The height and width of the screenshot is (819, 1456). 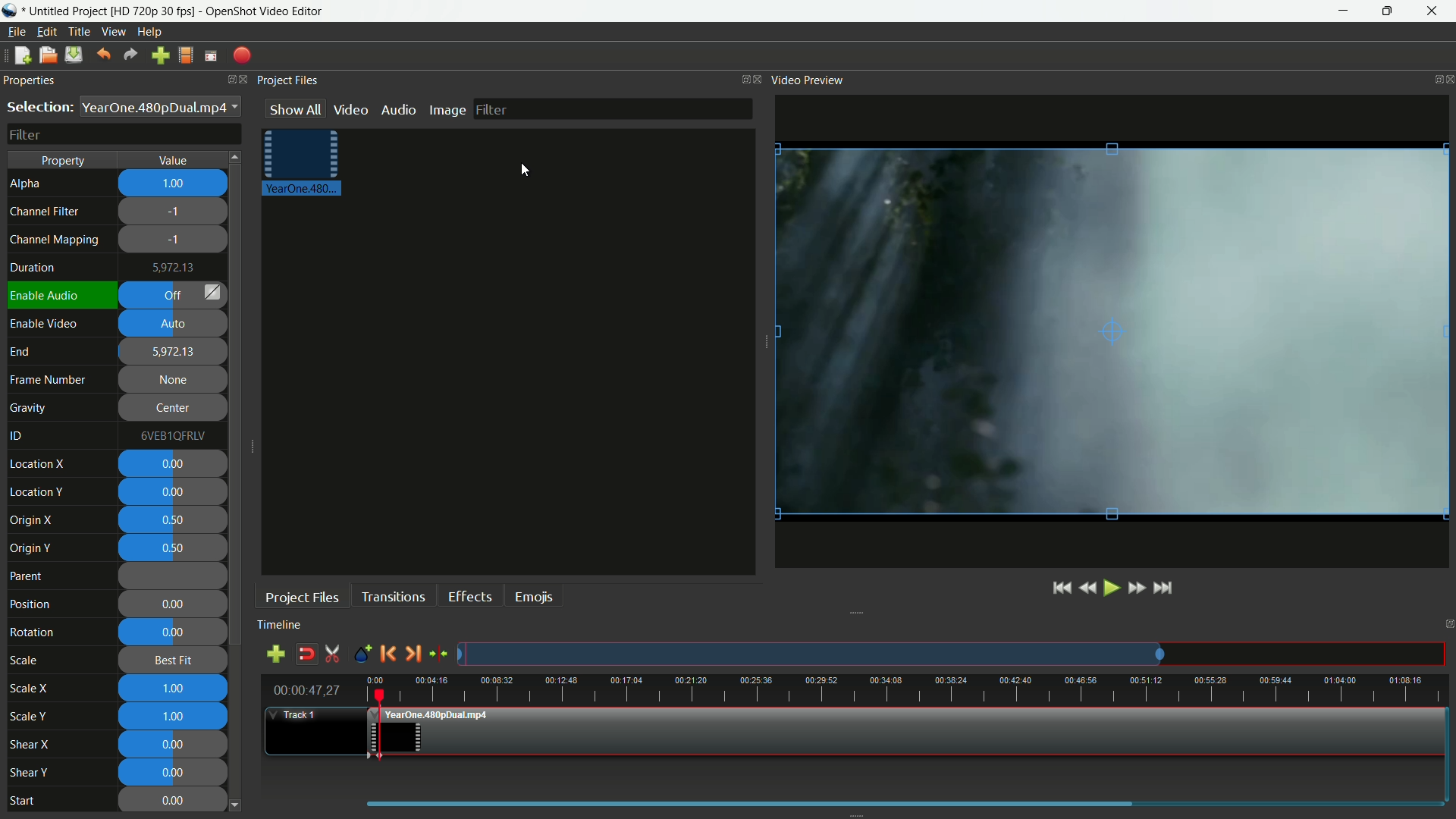 What do you see at coordinates (439, 650) in the screenshot?
I see `center the timeline on the playhead` at bounding box center [439, 650].